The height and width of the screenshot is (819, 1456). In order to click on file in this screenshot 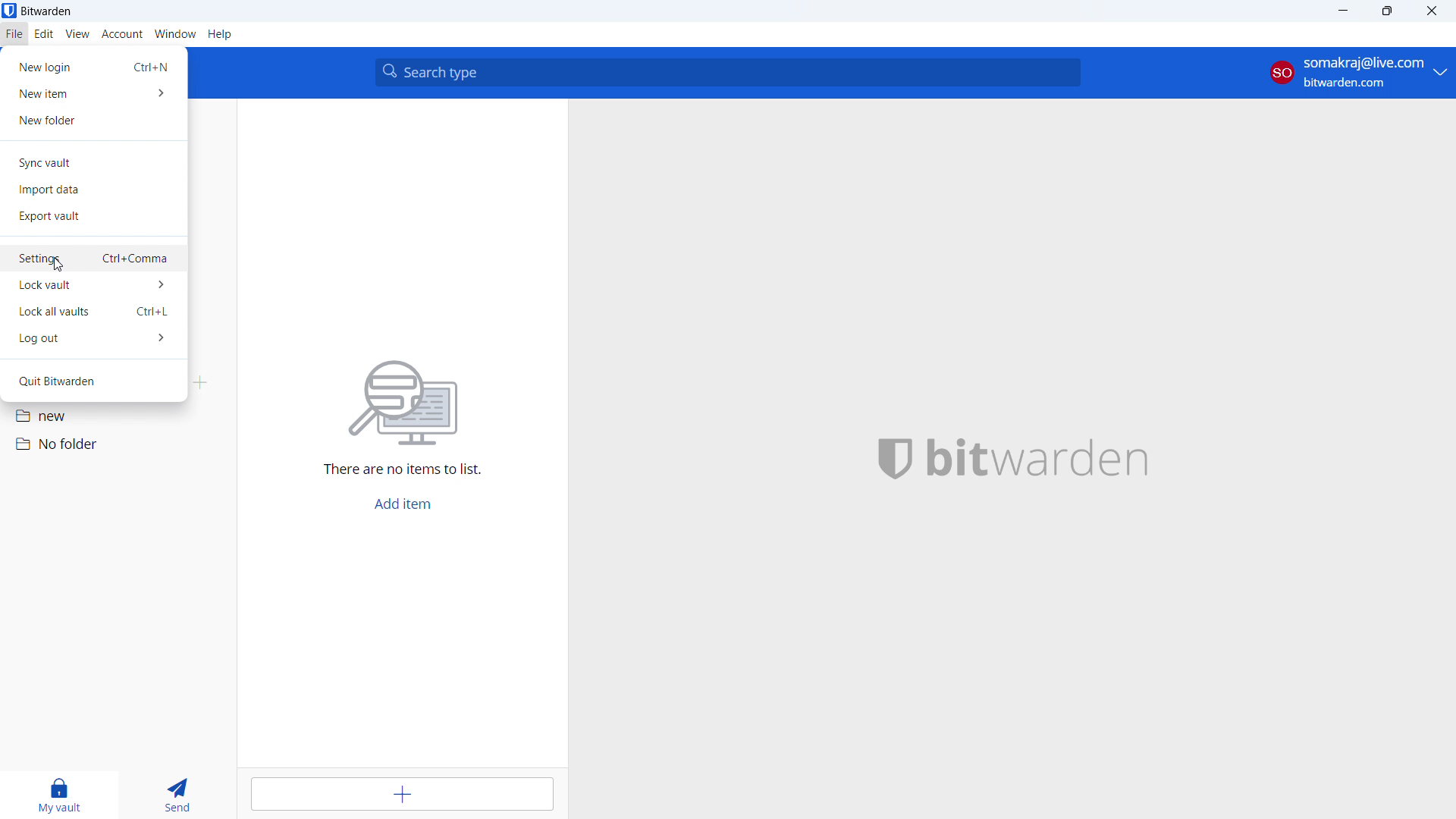, I will do `click(14, 34)`.